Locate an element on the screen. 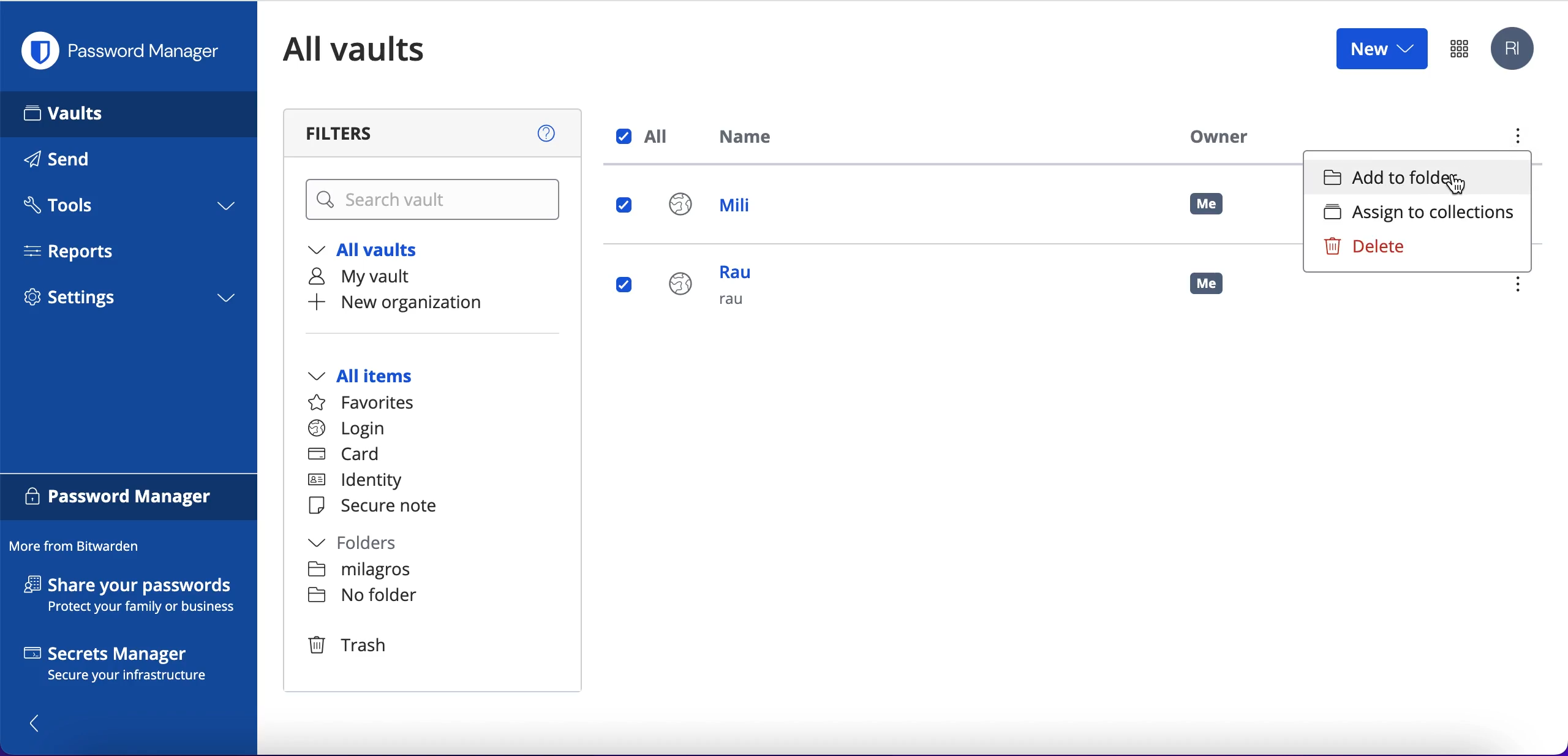 This screenshot has height=756, width=1568. password manager is located at coordinates (129, 499).